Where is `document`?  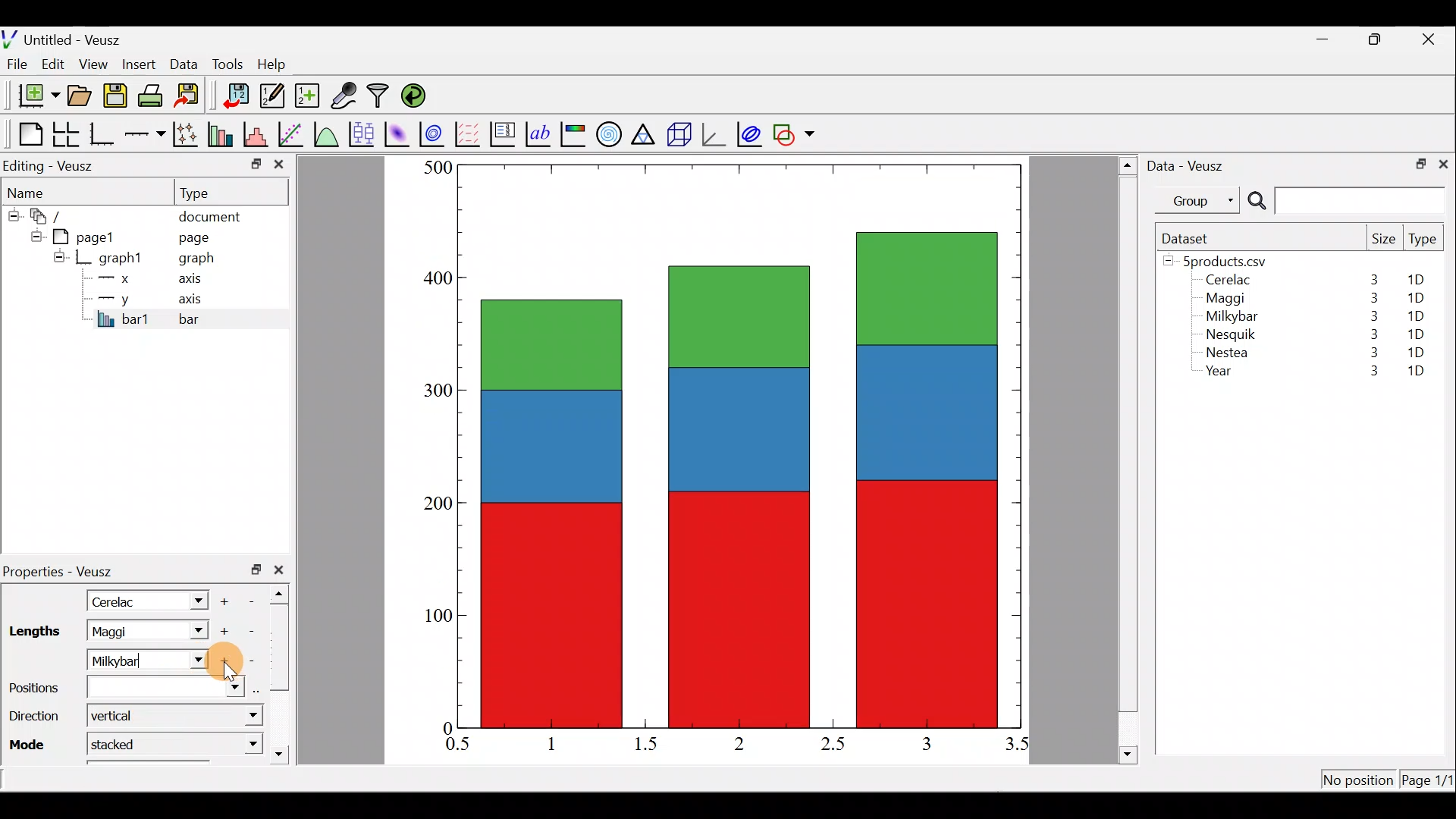
document is located at coordinates (209, 214).